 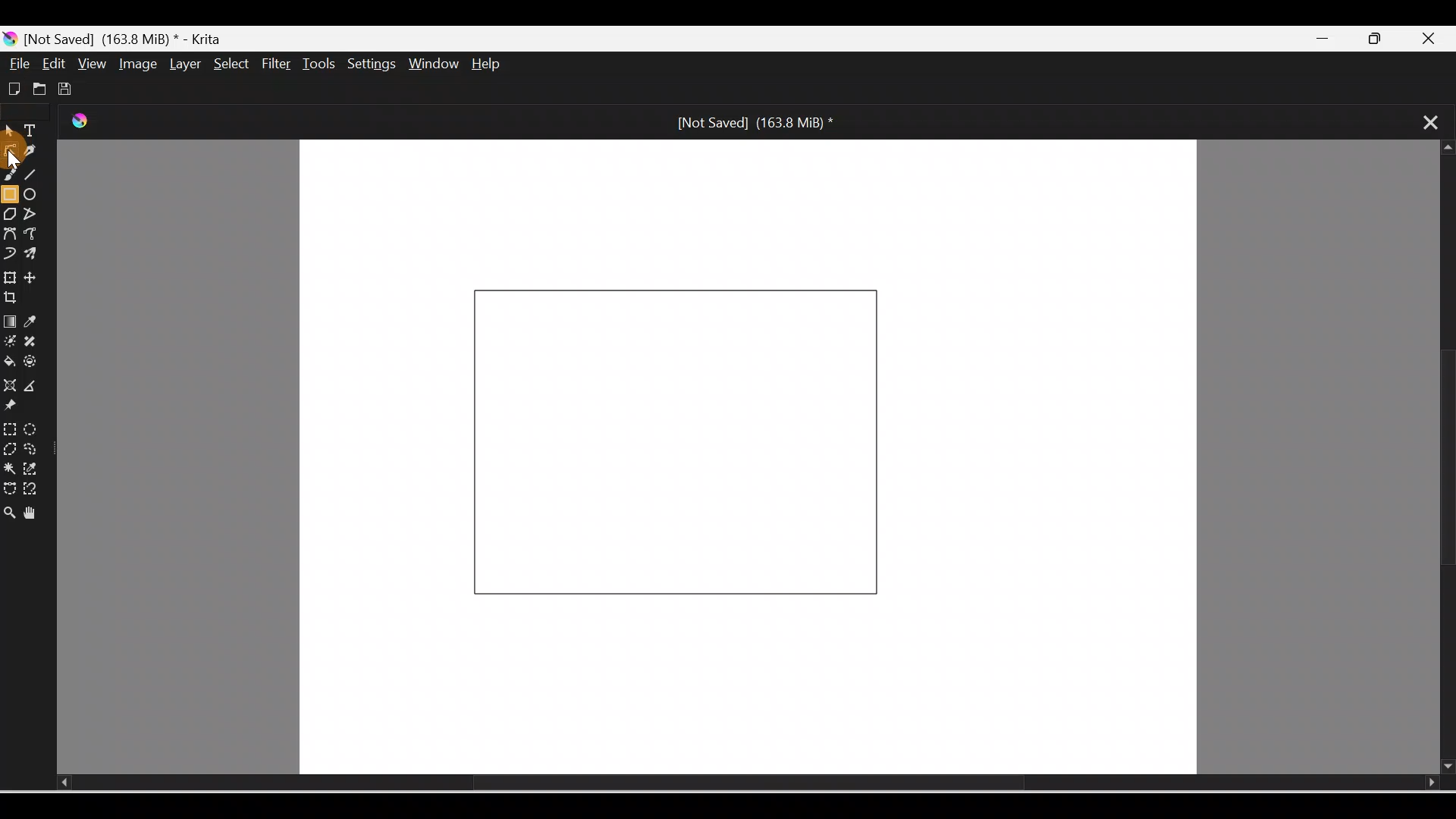 What do you see at coordinates (35, 449) in the screenshot?
I see `Freehand selection tool` at bounding box center [35, 449].